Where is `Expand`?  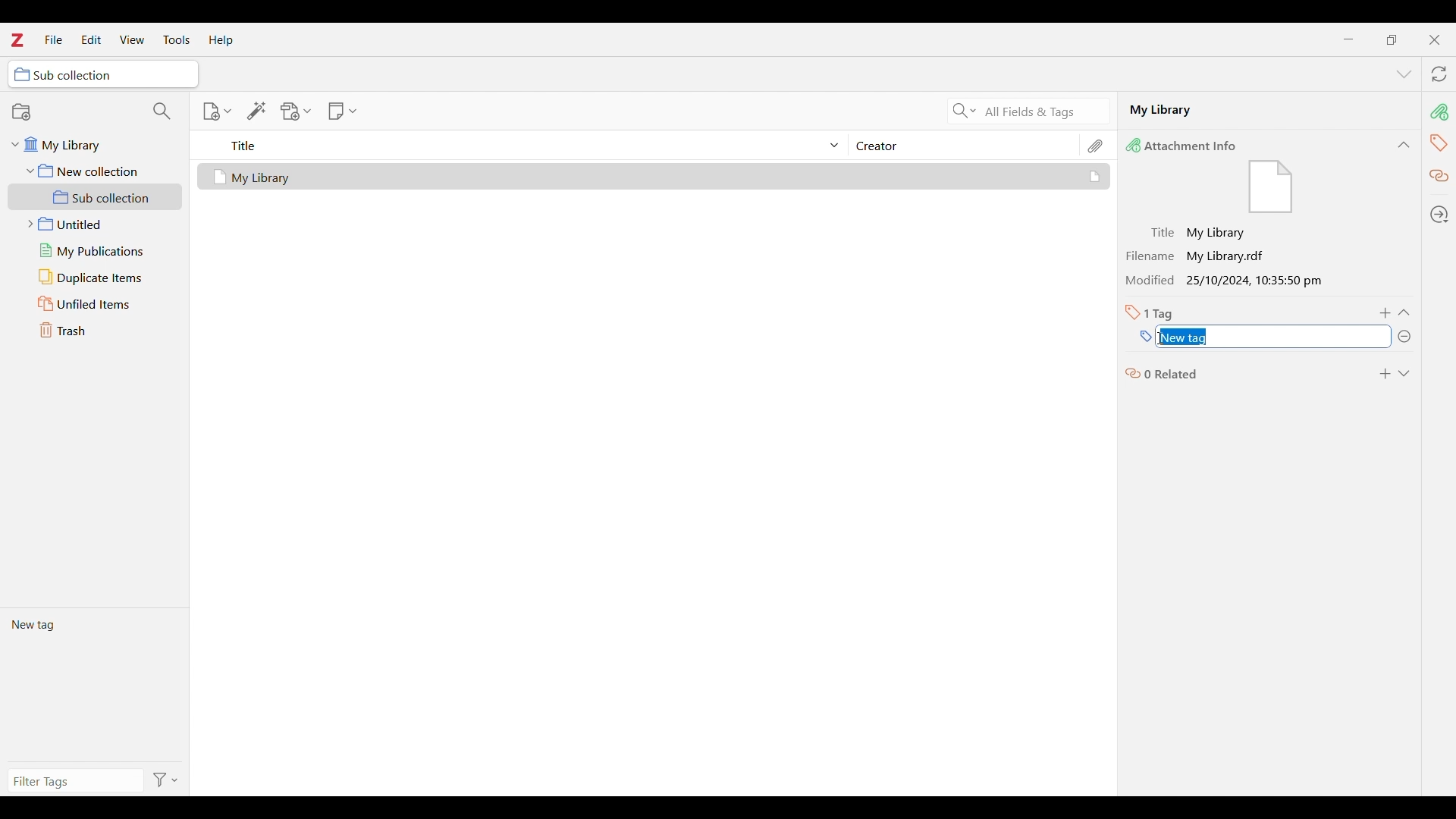 Expand is located at coordinates (1404, 374).